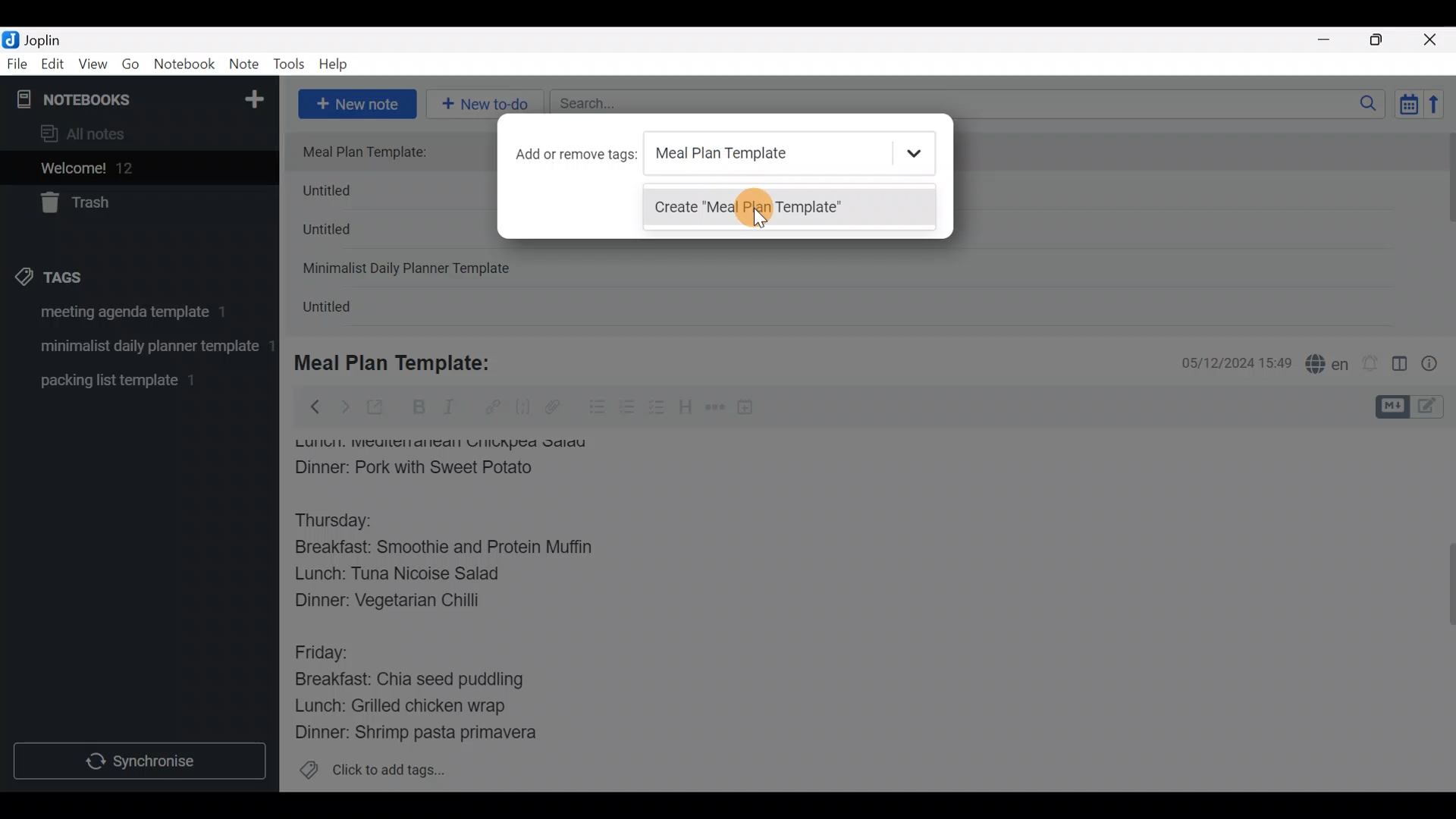 Image resolution: width=1456 pixels, height=819 pixels. What do you see at coordinates (1436, 365) in the screenshot?
I see `Note properties` at bounding box center [1436, 365].